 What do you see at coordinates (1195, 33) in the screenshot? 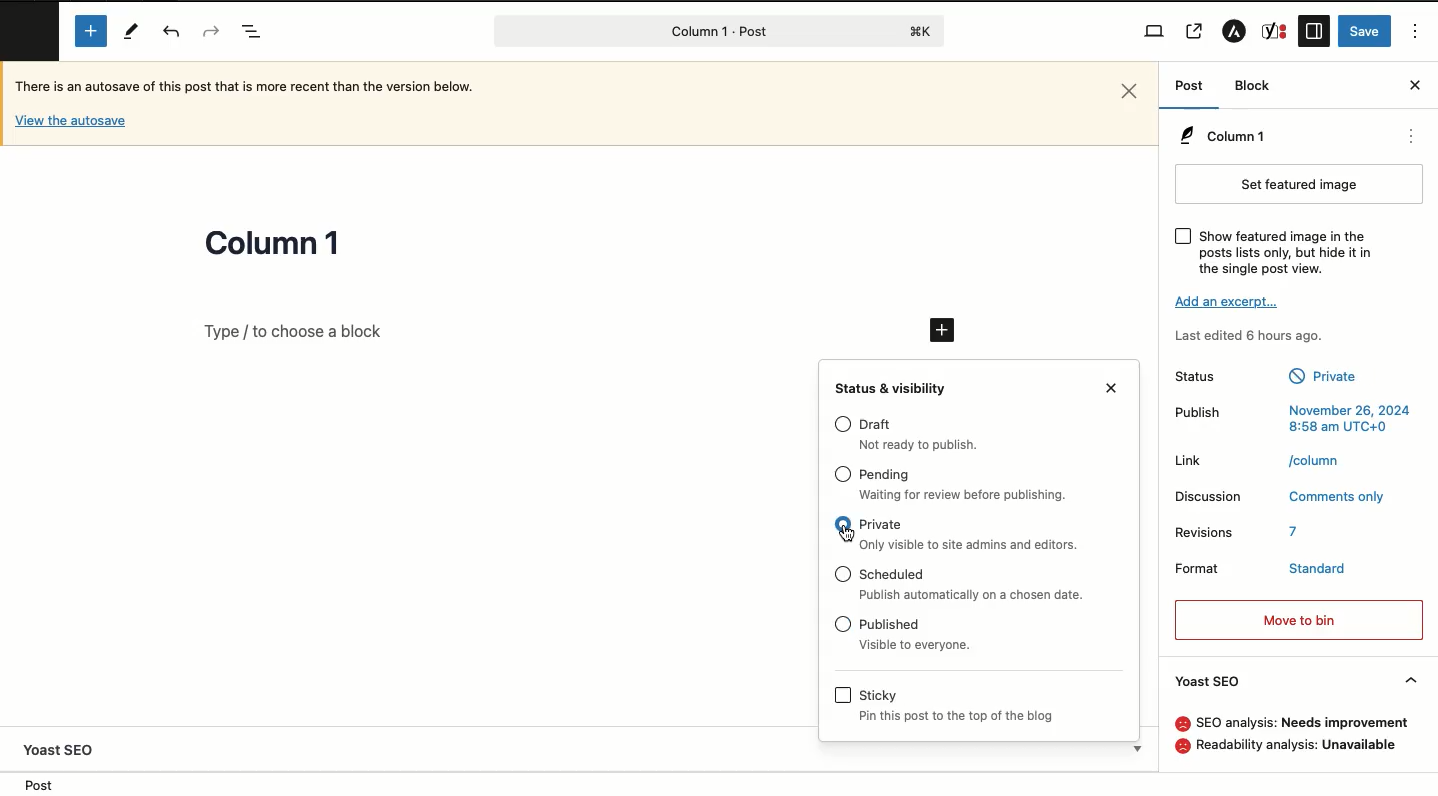
I see `View post` at bounding box center [1195, 33].